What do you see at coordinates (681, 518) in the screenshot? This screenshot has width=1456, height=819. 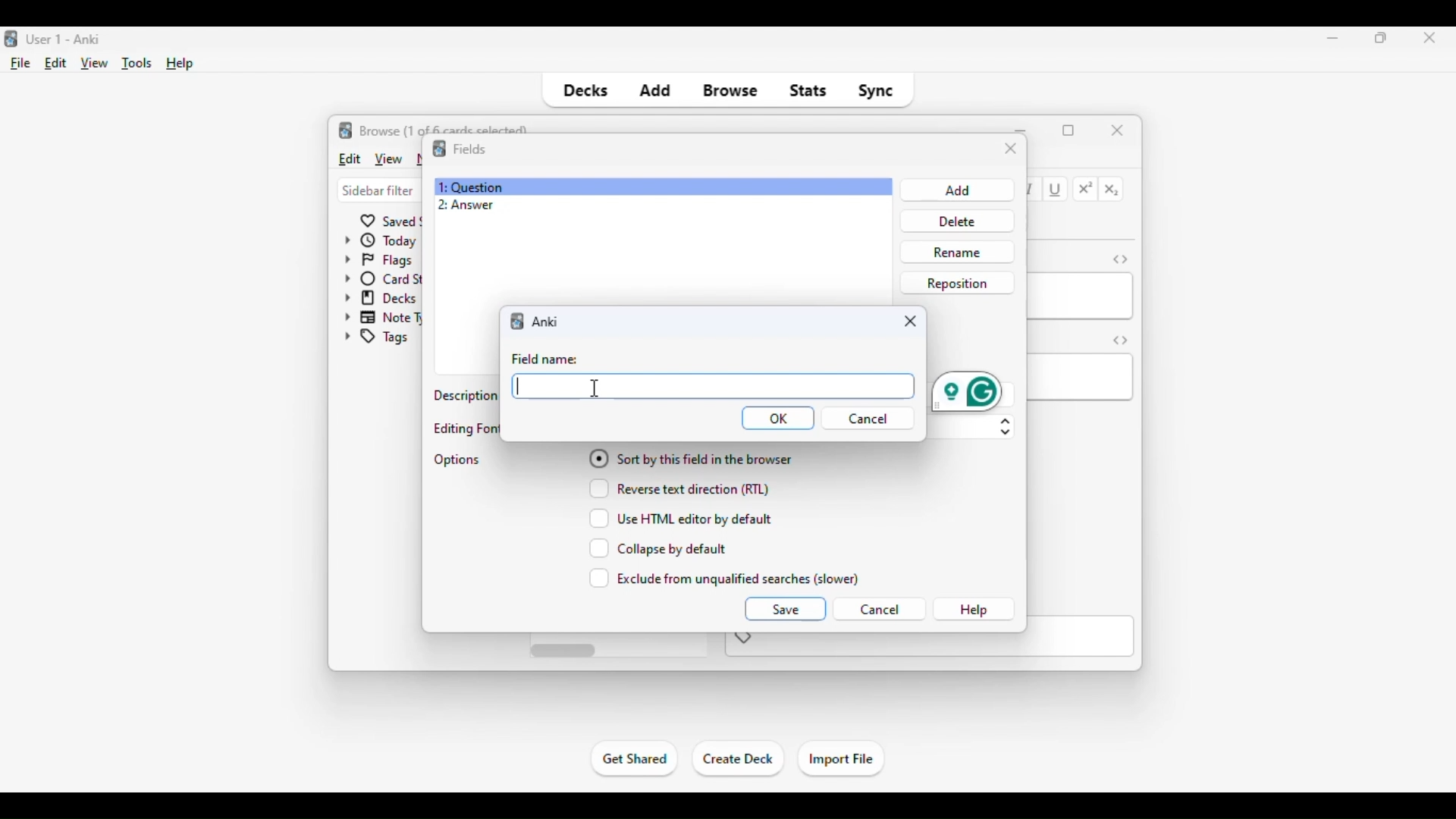 I see `use HTML editor by default` at bounding box center [681, 518].